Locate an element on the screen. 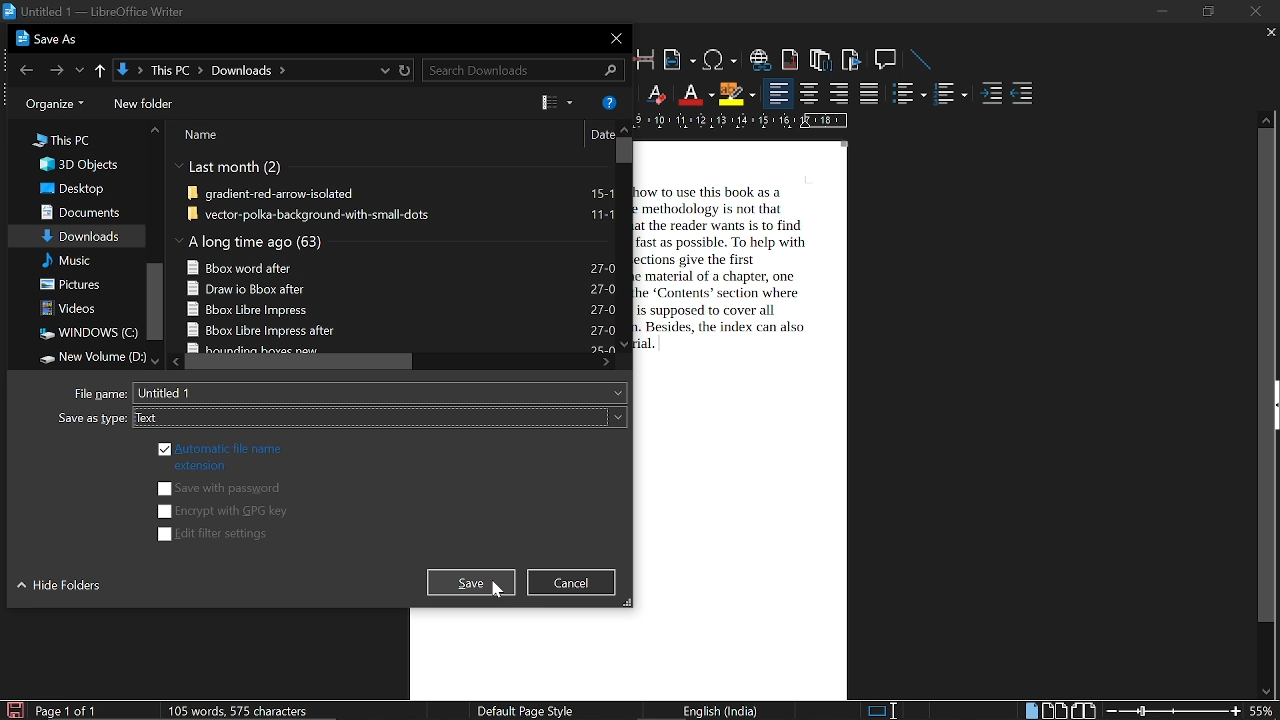  hide folders is located at coordinates (62, 589).